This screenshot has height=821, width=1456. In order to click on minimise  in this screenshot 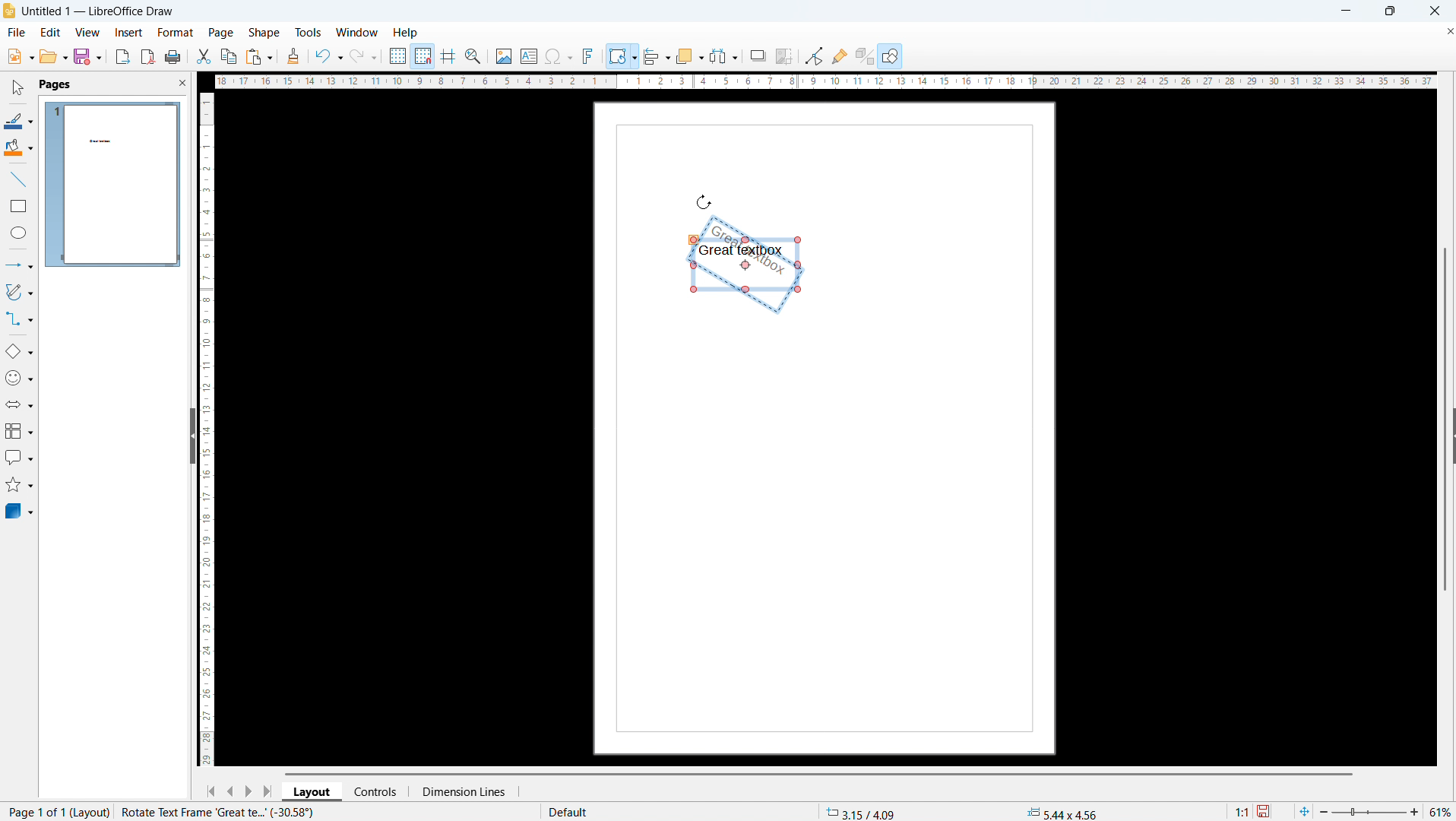, I will do `click(1340, 11)`.